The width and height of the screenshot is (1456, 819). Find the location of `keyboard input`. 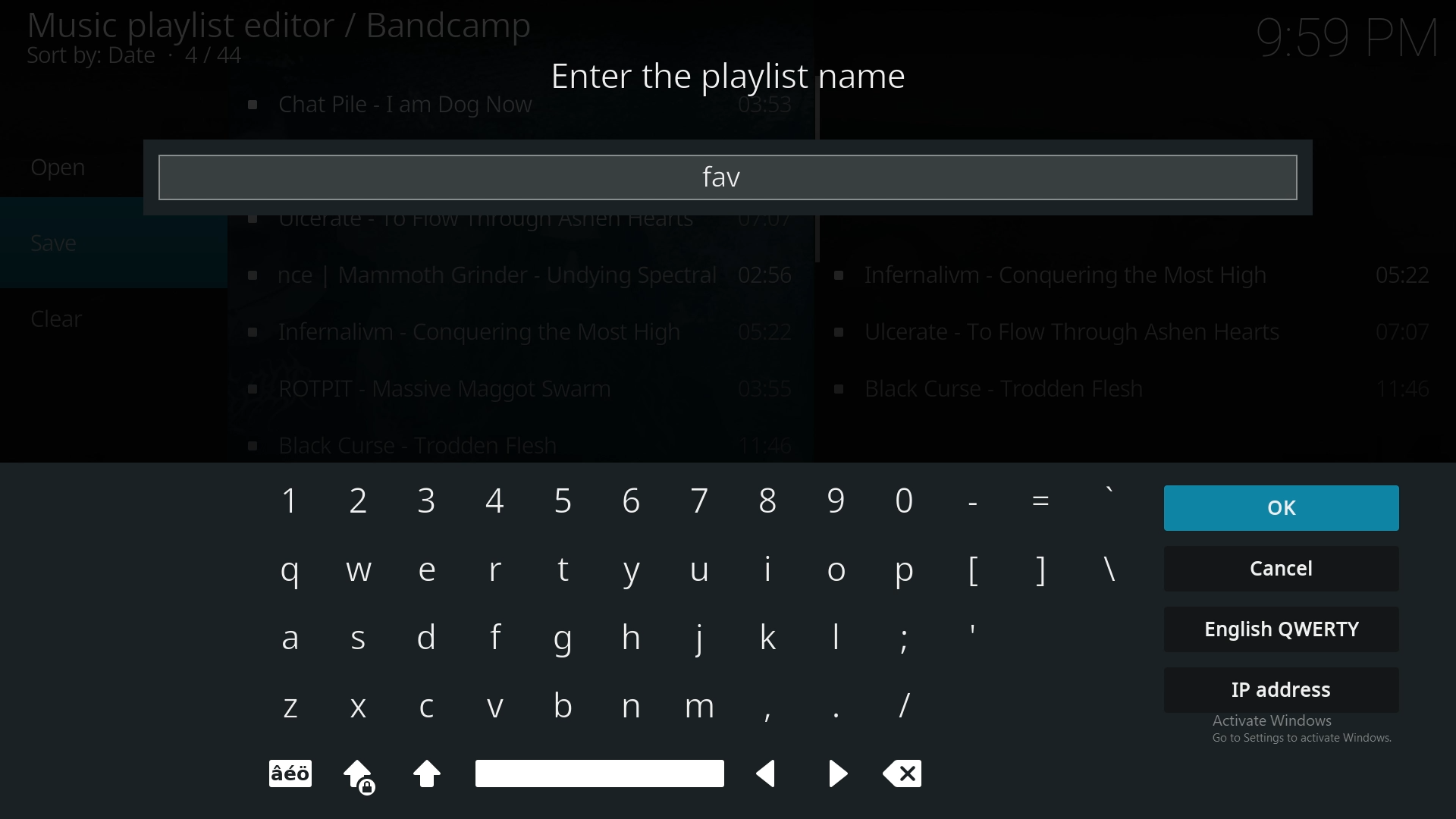

keyboard input is located at coordinates (1110, 500).